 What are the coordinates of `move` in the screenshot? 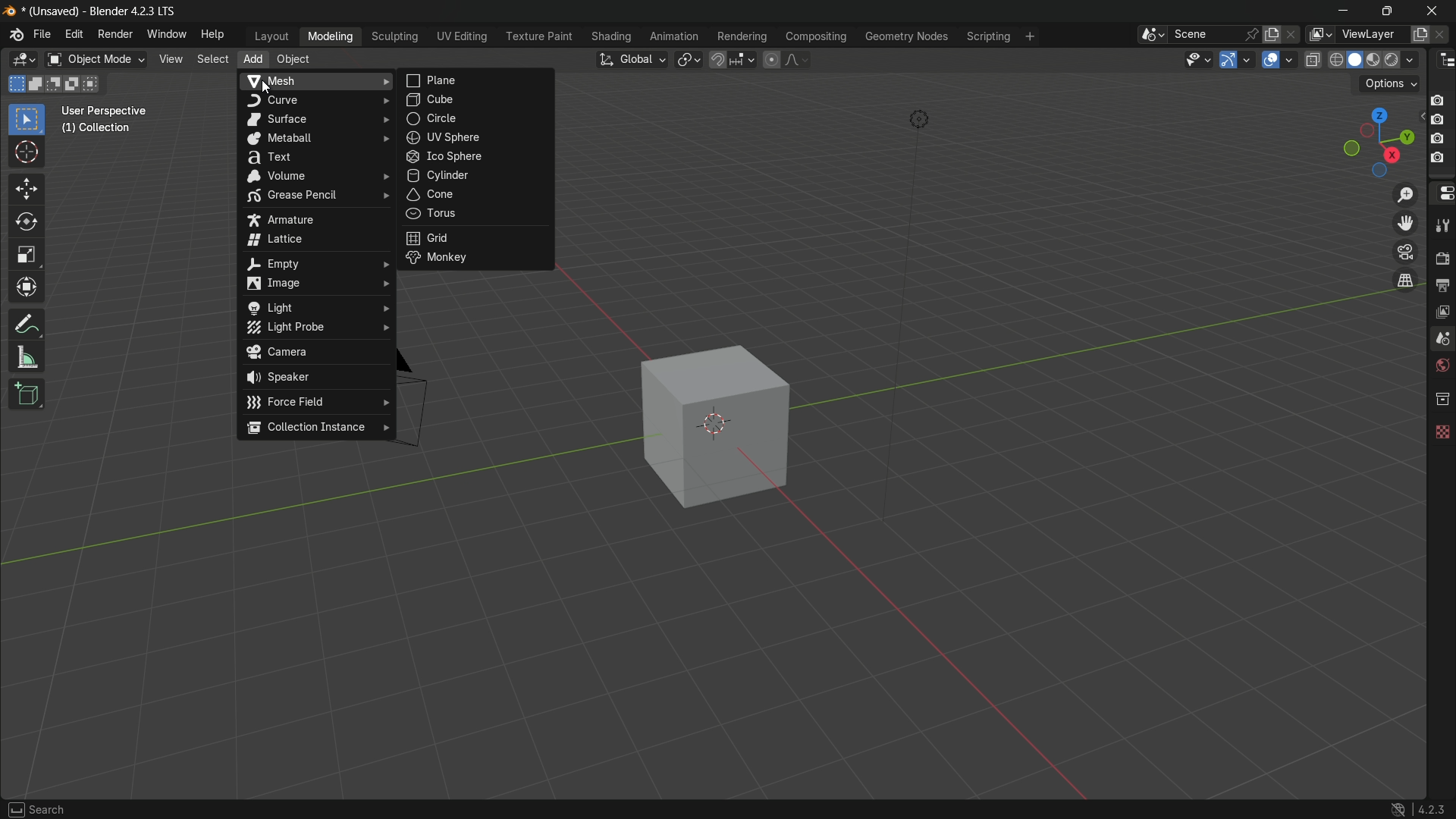 It's located at (27, 191).